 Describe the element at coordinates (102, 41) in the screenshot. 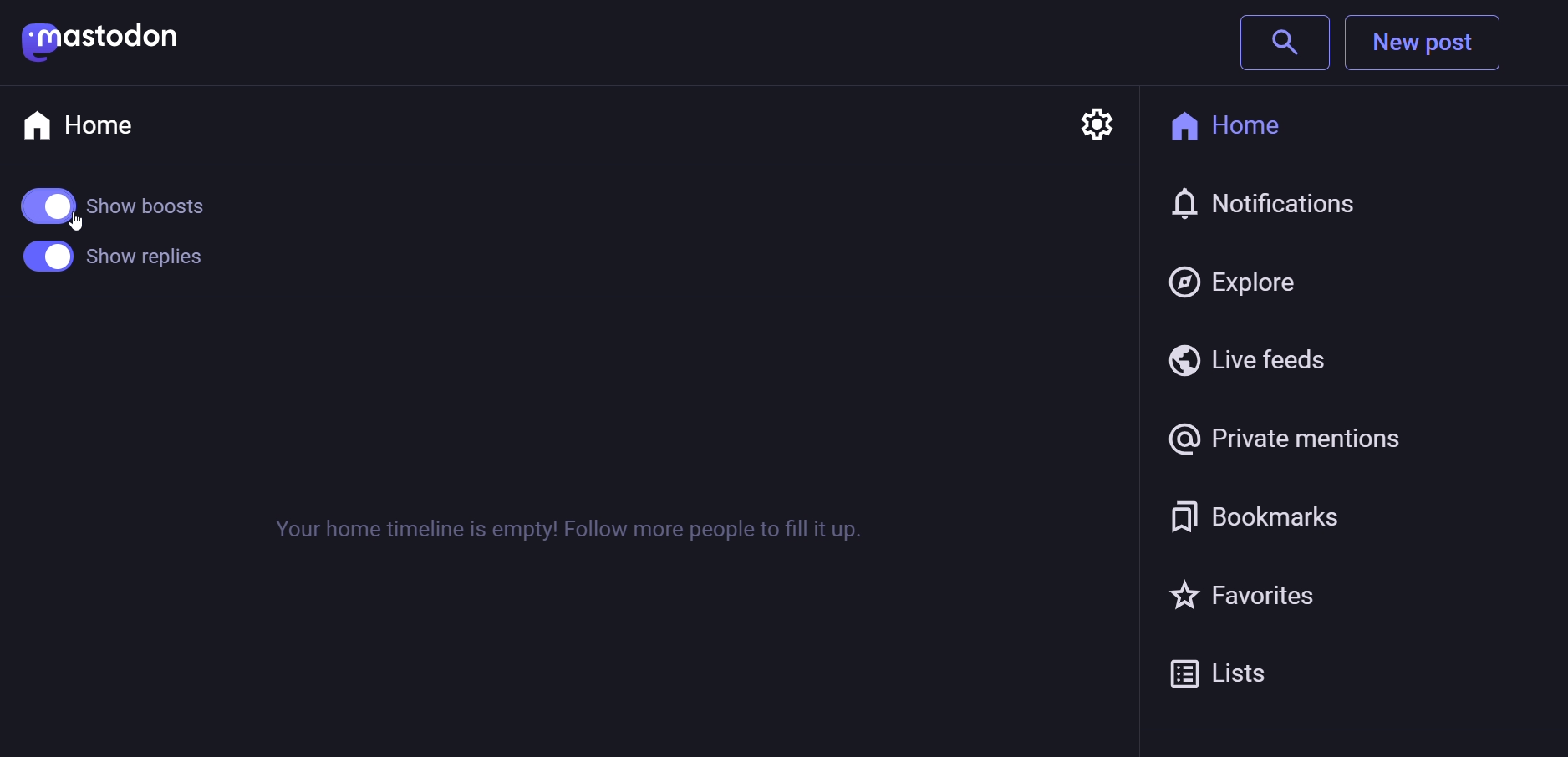

I see `mastodon` at that location.